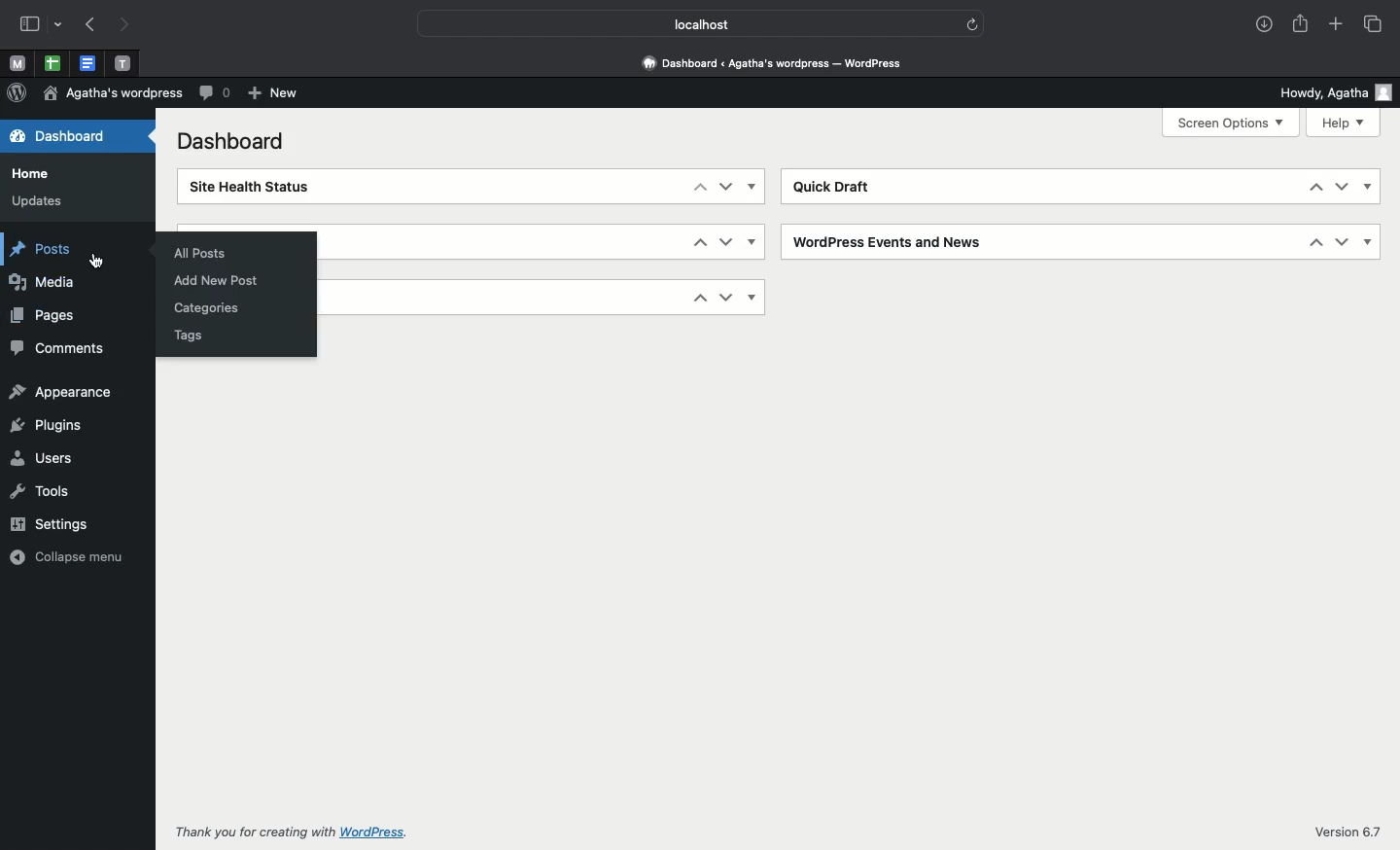 The height and width of the screenshot is (850, 1400). What do you see at coordinates (63, 346) in the screenshot?
I see `Comments` at bounding box center [63, 346].